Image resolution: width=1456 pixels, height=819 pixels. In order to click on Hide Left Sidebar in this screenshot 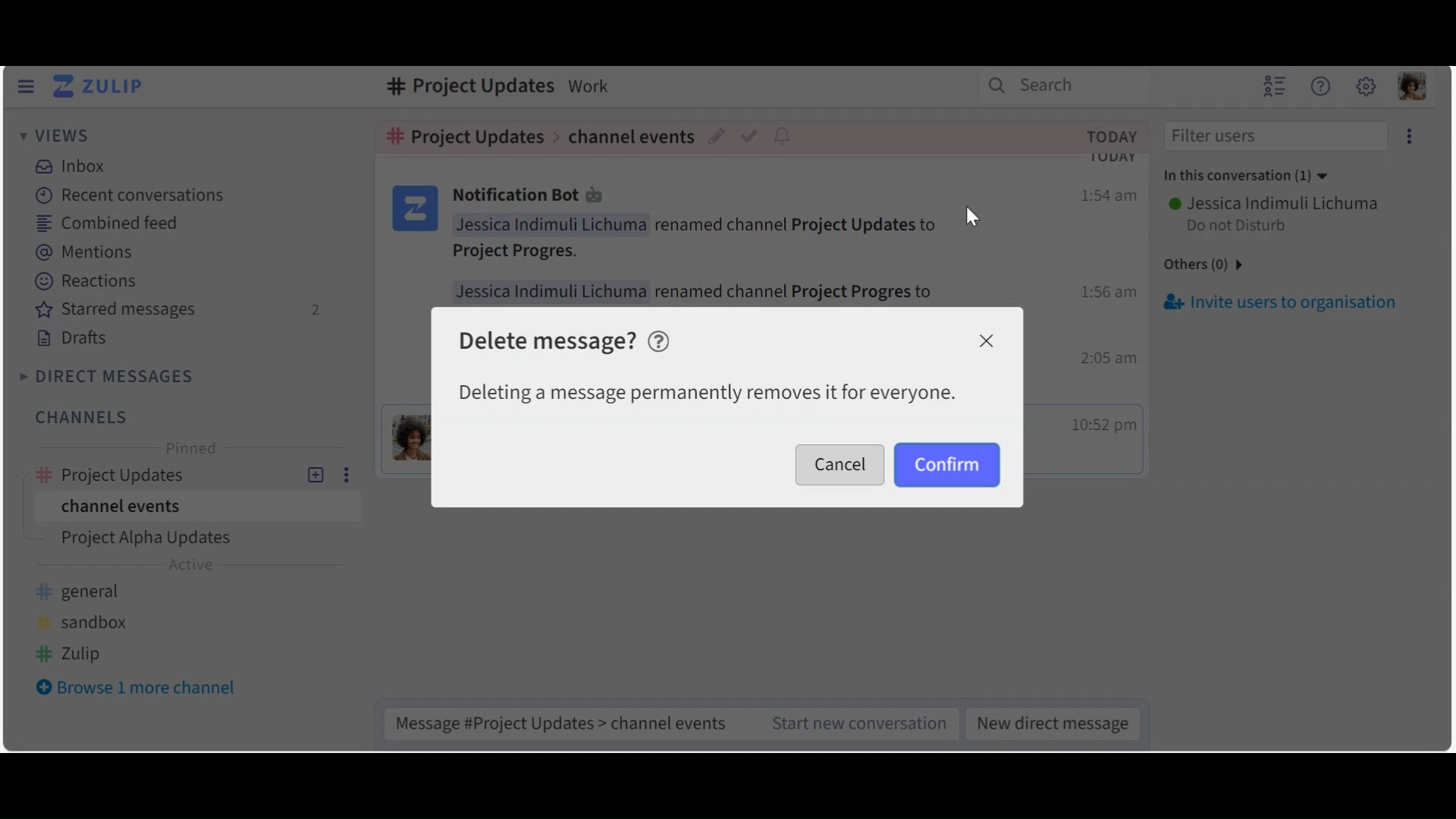, I will do `click(27, 86)`.